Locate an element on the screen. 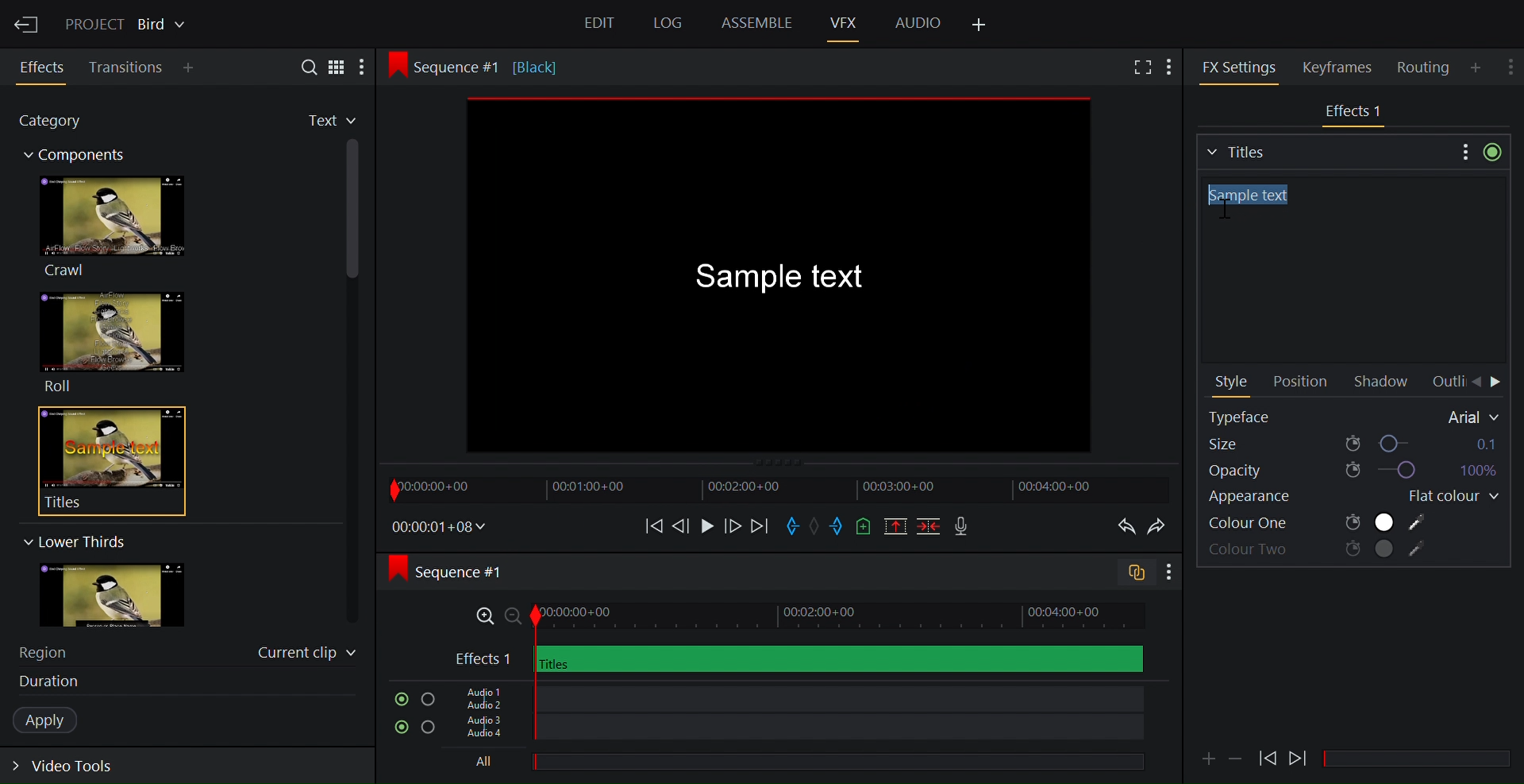 This screenshot has width=1524, height=784. Title name is located at coordinates (1349, 271).